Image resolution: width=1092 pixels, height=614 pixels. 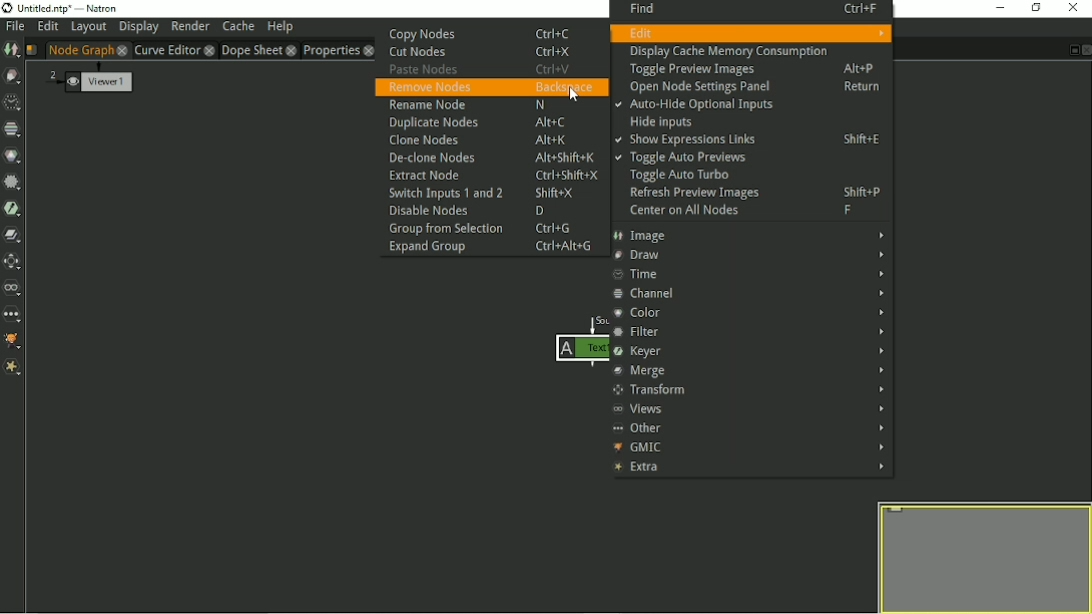 I want to click on Time, so click(x=750, y=274).